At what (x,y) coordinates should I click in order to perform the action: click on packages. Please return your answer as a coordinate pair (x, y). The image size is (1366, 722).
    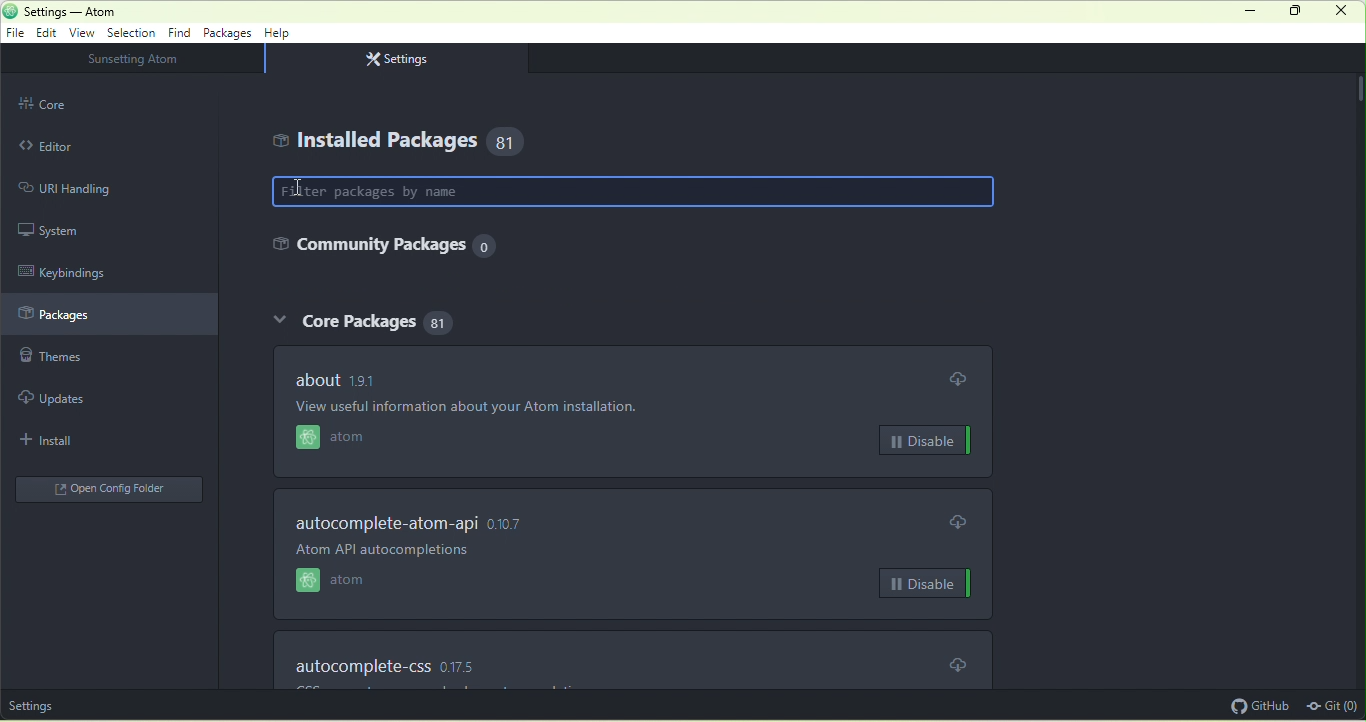
    Looking at the image, I should click on (110, 316).